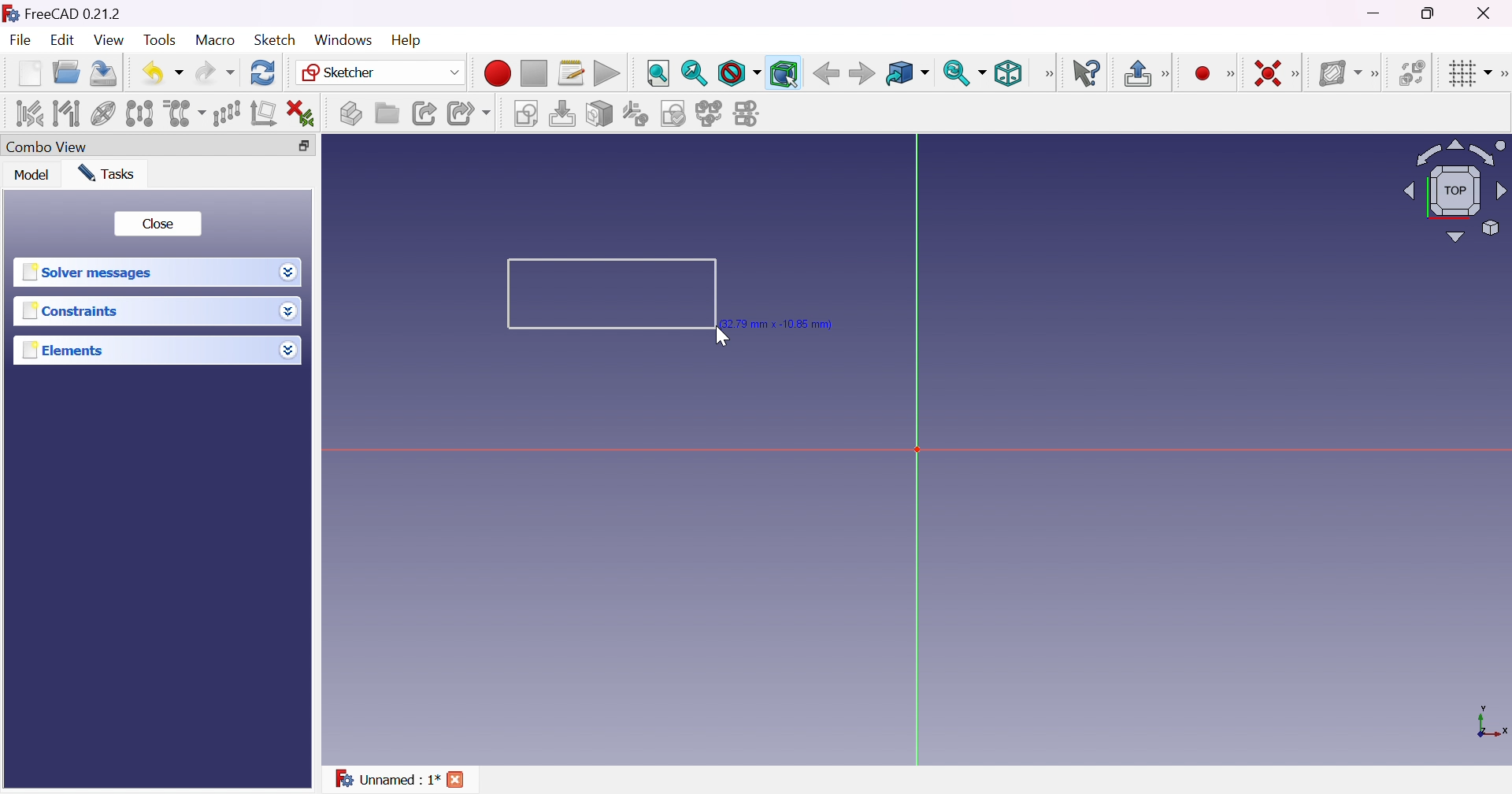  I want to click on [Sketcher geometrics], so click(1231, 72).